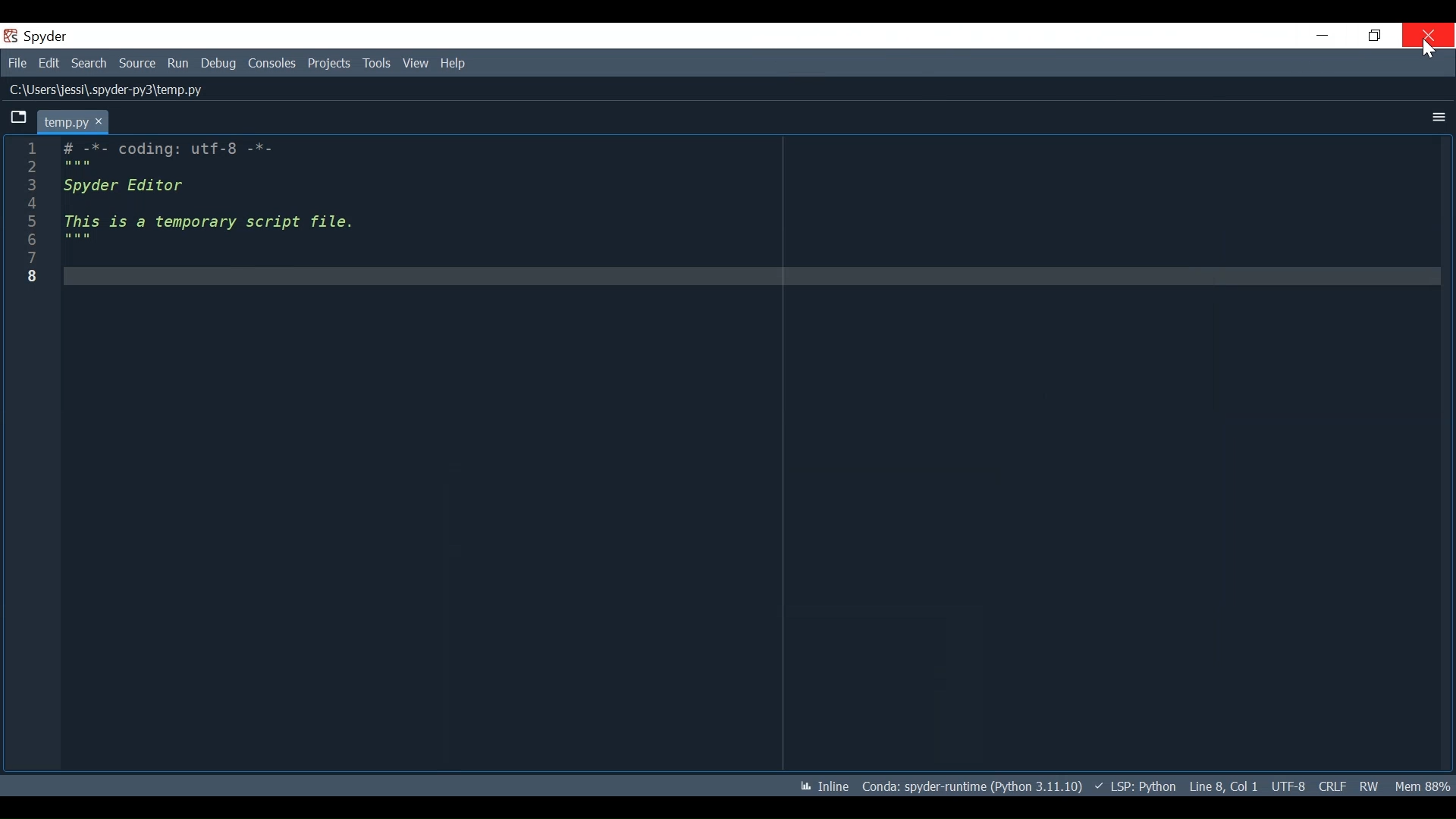  Describe the element at coordinates (1371, 785) in the screenshot. I see `RW` at that location.